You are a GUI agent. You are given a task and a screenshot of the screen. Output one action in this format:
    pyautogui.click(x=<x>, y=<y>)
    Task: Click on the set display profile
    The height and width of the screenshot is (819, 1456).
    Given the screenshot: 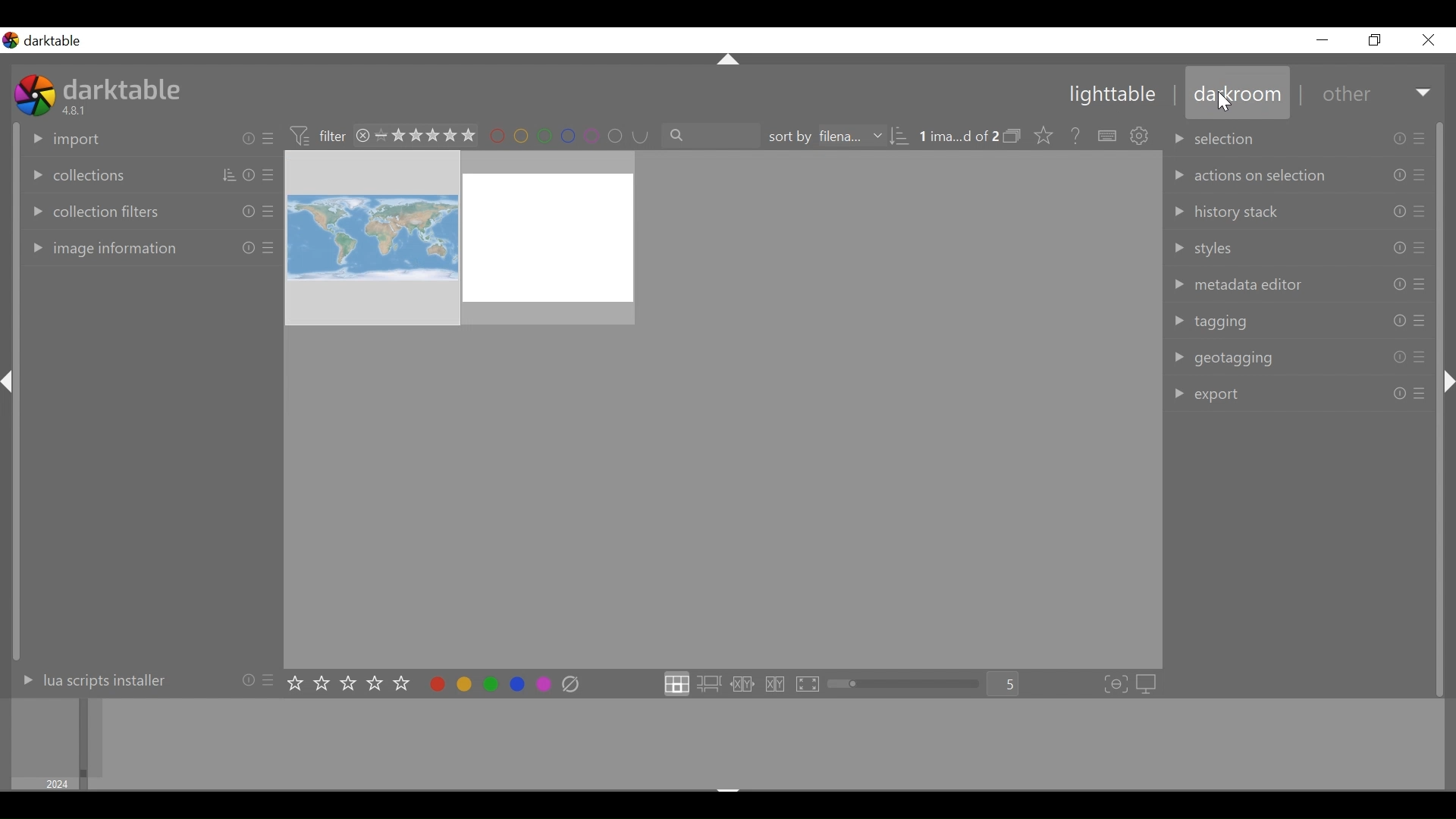 What is the action you would take?
    pyautogui.click(x=1149, y=683)
    